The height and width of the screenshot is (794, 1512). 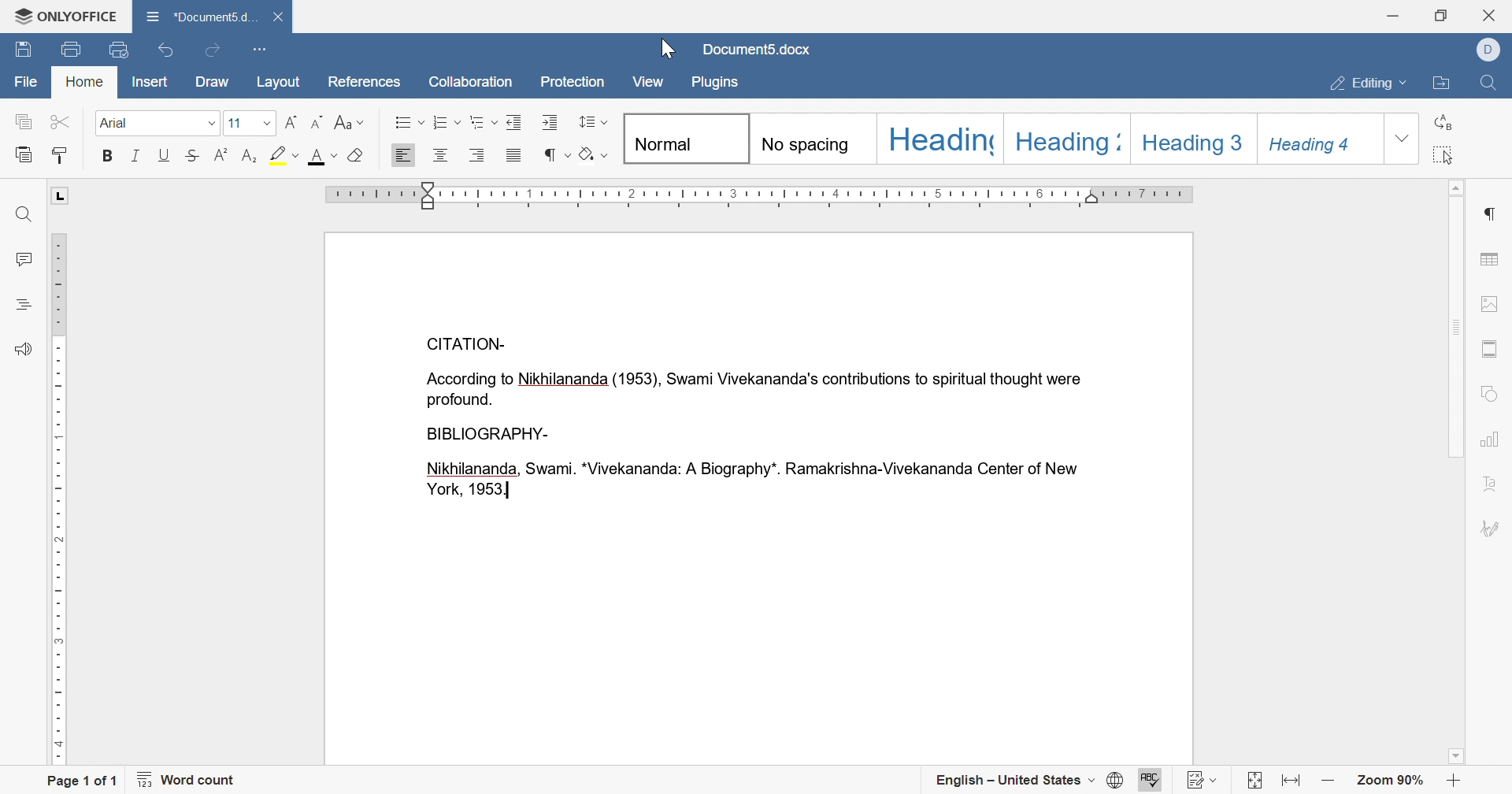 What do you see at coordinates (1153, 781) in the screenshot?
I see `spell checking` at bounding box center [1153, 781].